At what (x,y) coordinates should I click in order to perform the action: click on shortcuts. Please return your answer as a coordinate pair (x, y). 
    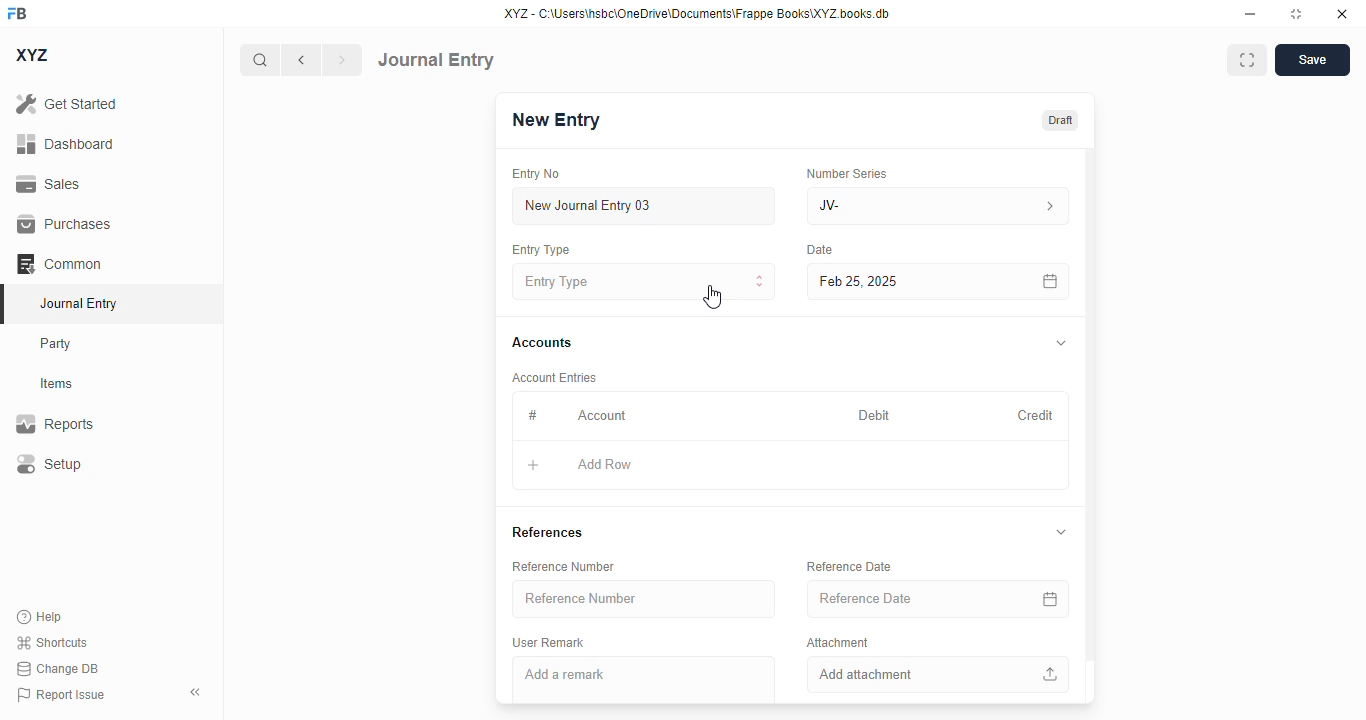
    Looking at the image, I should click on (51, 642).